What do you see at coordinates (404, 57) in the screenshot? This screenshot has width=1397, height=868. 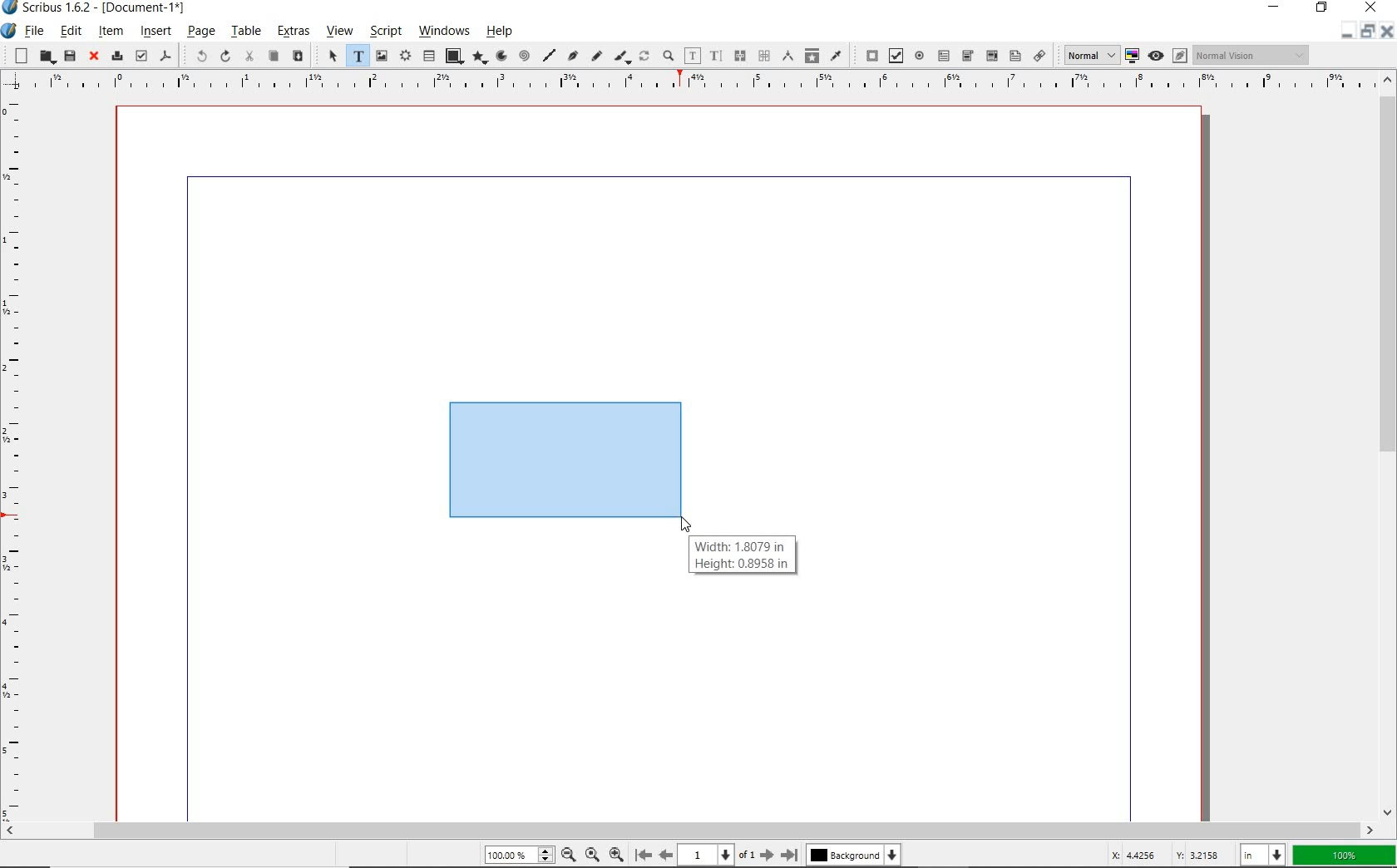 I see `render frame` at bounding box center [404, 57].